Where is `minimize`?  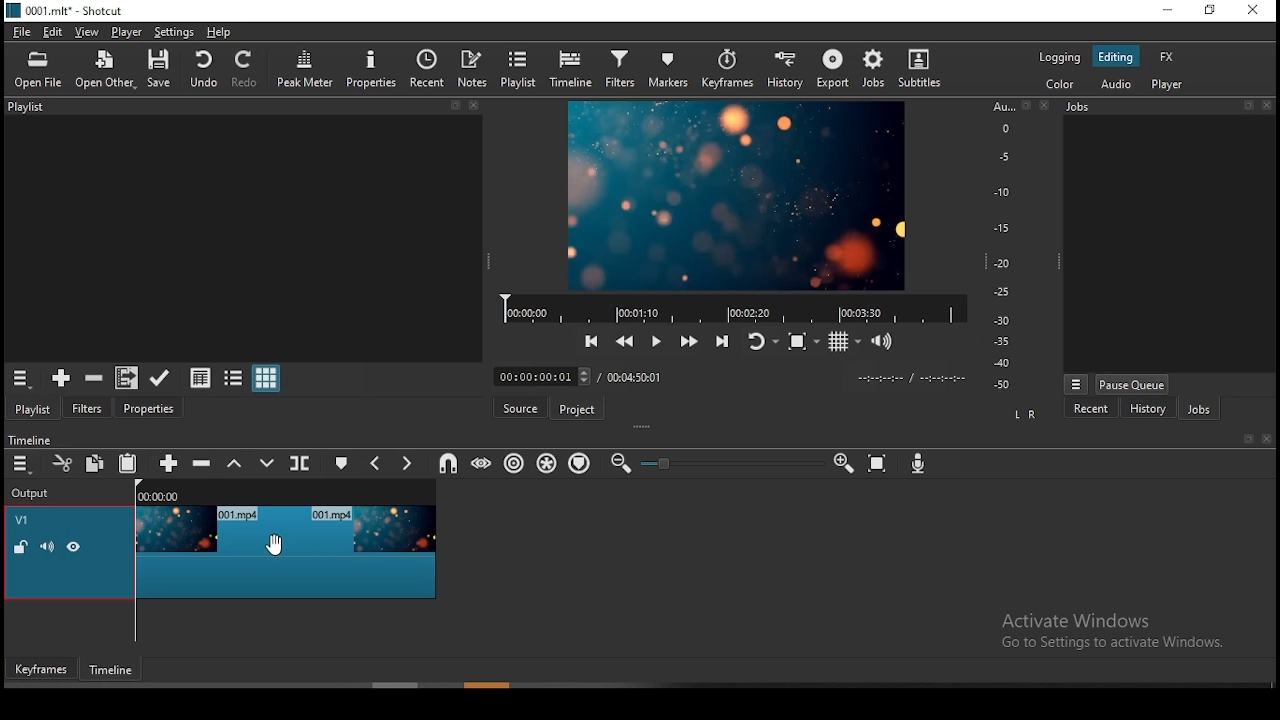
minimize is located at coordinates (1171, 11).